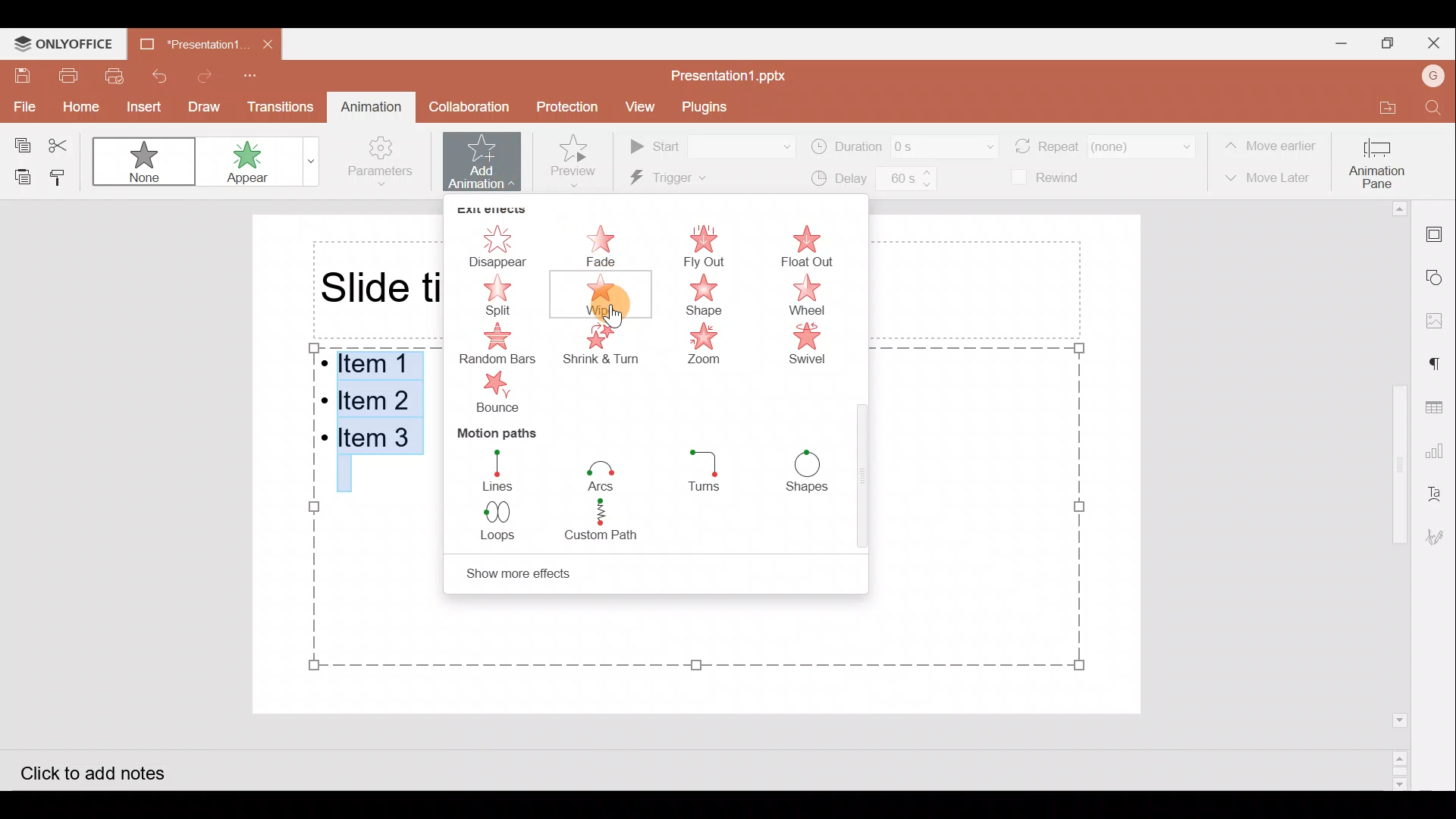  What do you see at coordinates (1442, 447) in the screenshot?
I see `Chart settings` at bounding box center [1442, 447].